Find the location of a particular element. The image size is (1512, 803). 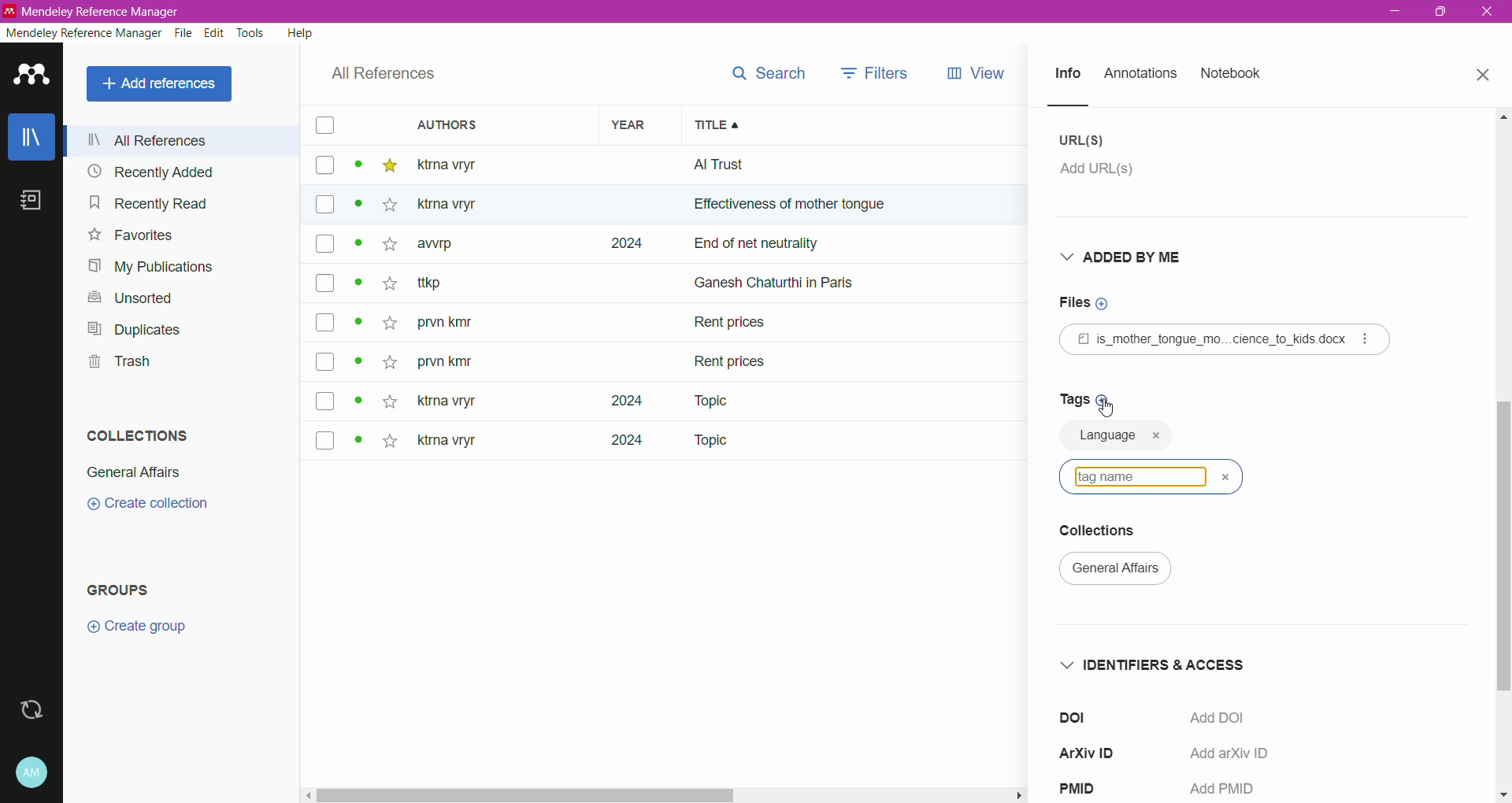

Cursor is located at coordinates (1111, 411).